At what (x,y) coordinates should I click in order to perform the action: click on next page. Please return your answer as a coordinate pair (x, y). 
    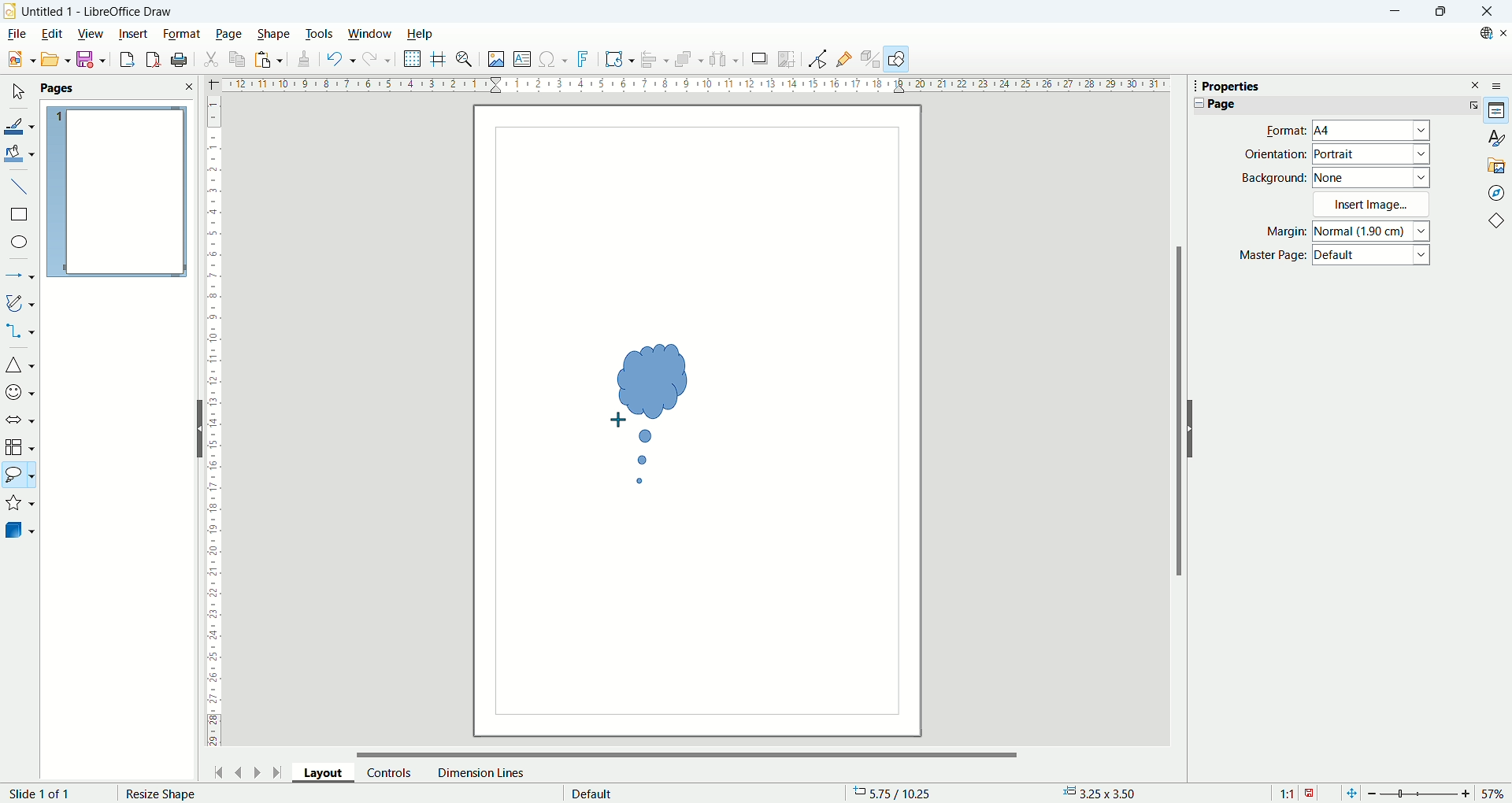
    Looking at the image, I should click on (254, 771).